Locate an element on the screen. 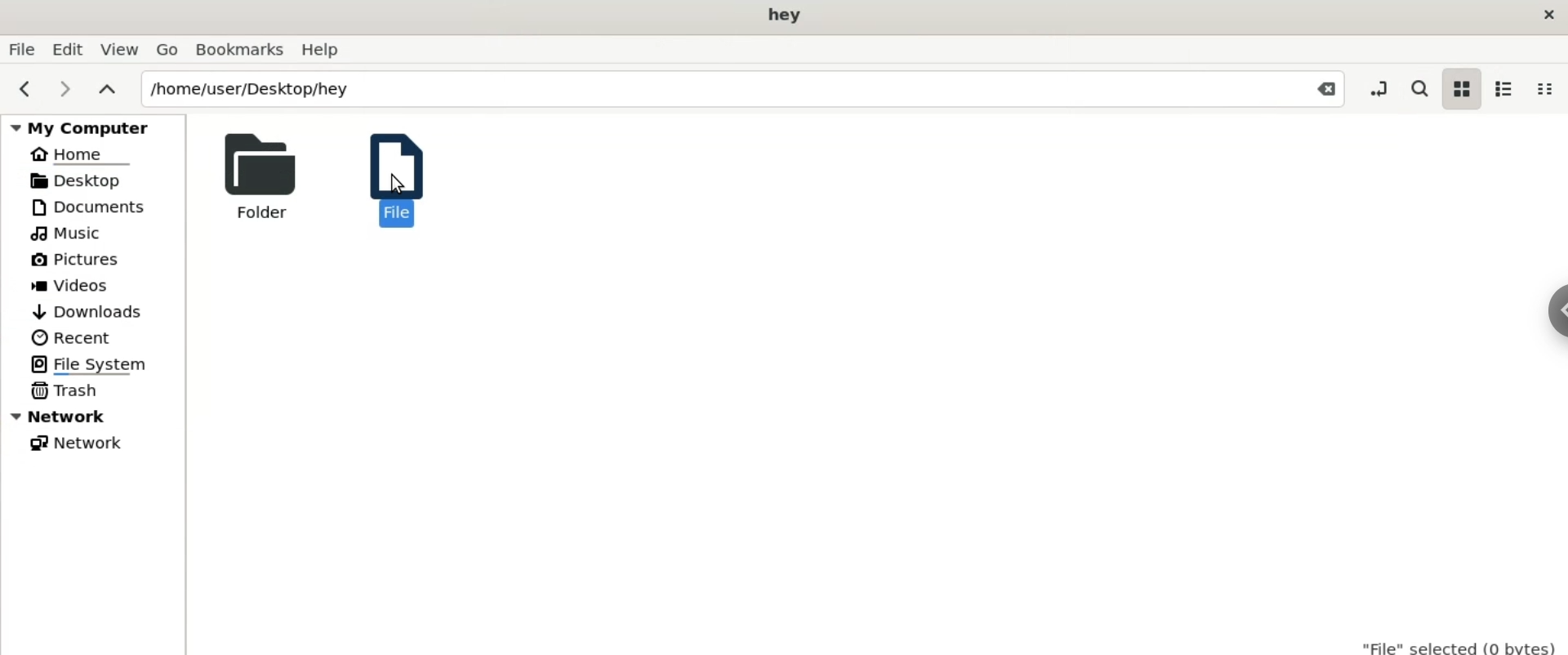 The height and width of the screenshot is (655, 1568). pictures is located at coordinates (76, 261).